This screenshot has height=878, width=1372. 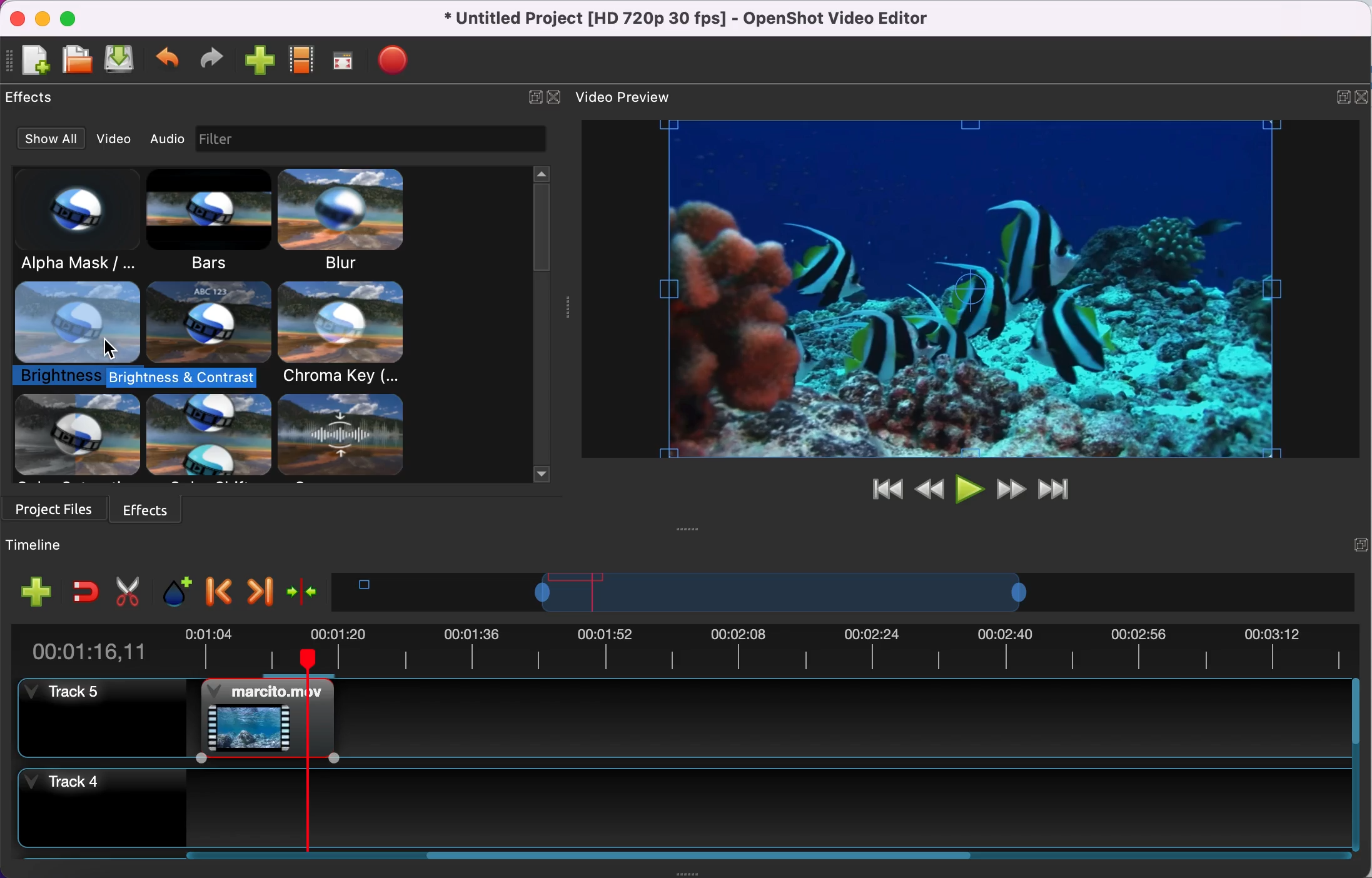 What do you see at coordinates (171, 590) in the screenshot?
I see `add marker` at bounding box center [171, 590].